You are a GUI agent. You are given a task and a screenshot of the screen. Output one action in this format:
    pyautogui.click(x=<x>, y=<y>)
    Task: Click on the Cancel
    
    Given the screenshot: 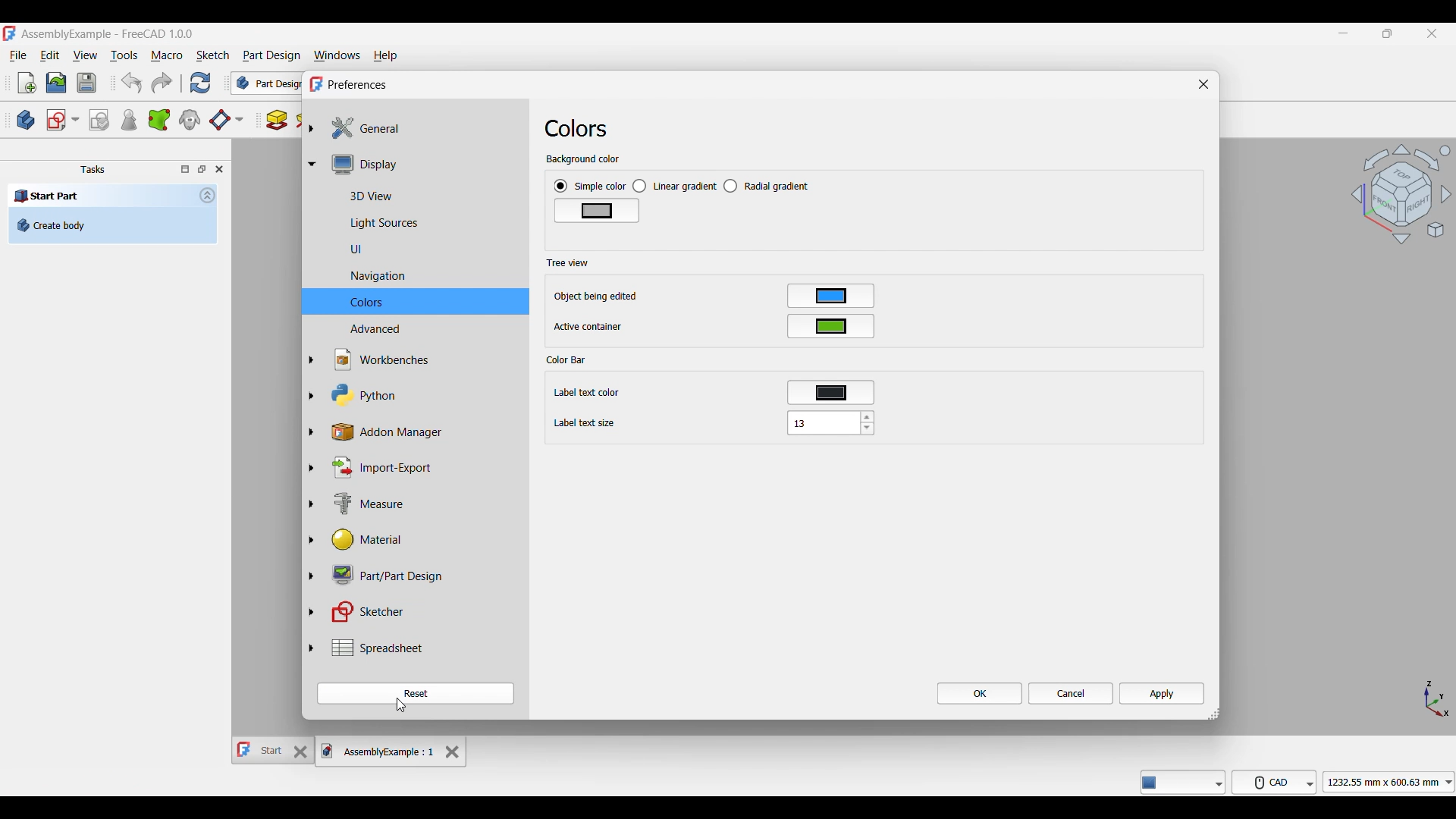 What is the action you would take?
    pyautogui.click(x=1072, y=693)
    